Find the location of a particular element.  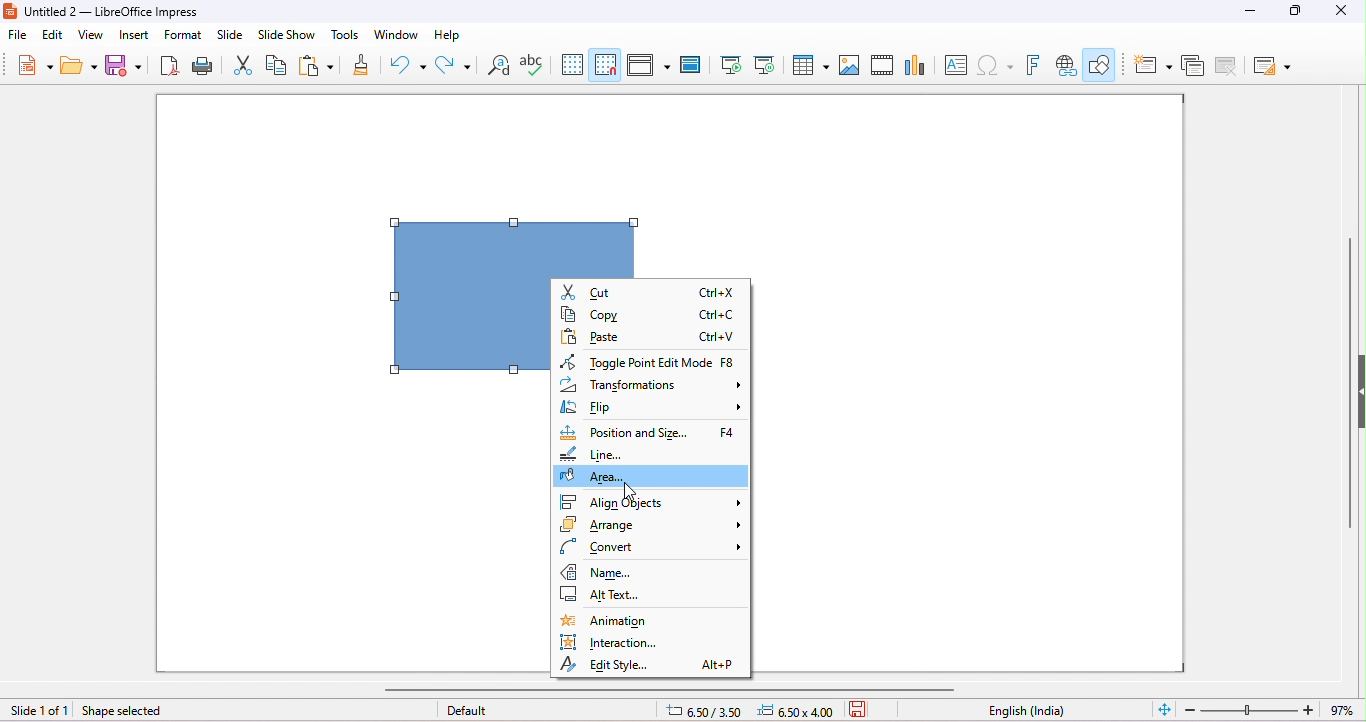

area is located at coordinates (652, 477).